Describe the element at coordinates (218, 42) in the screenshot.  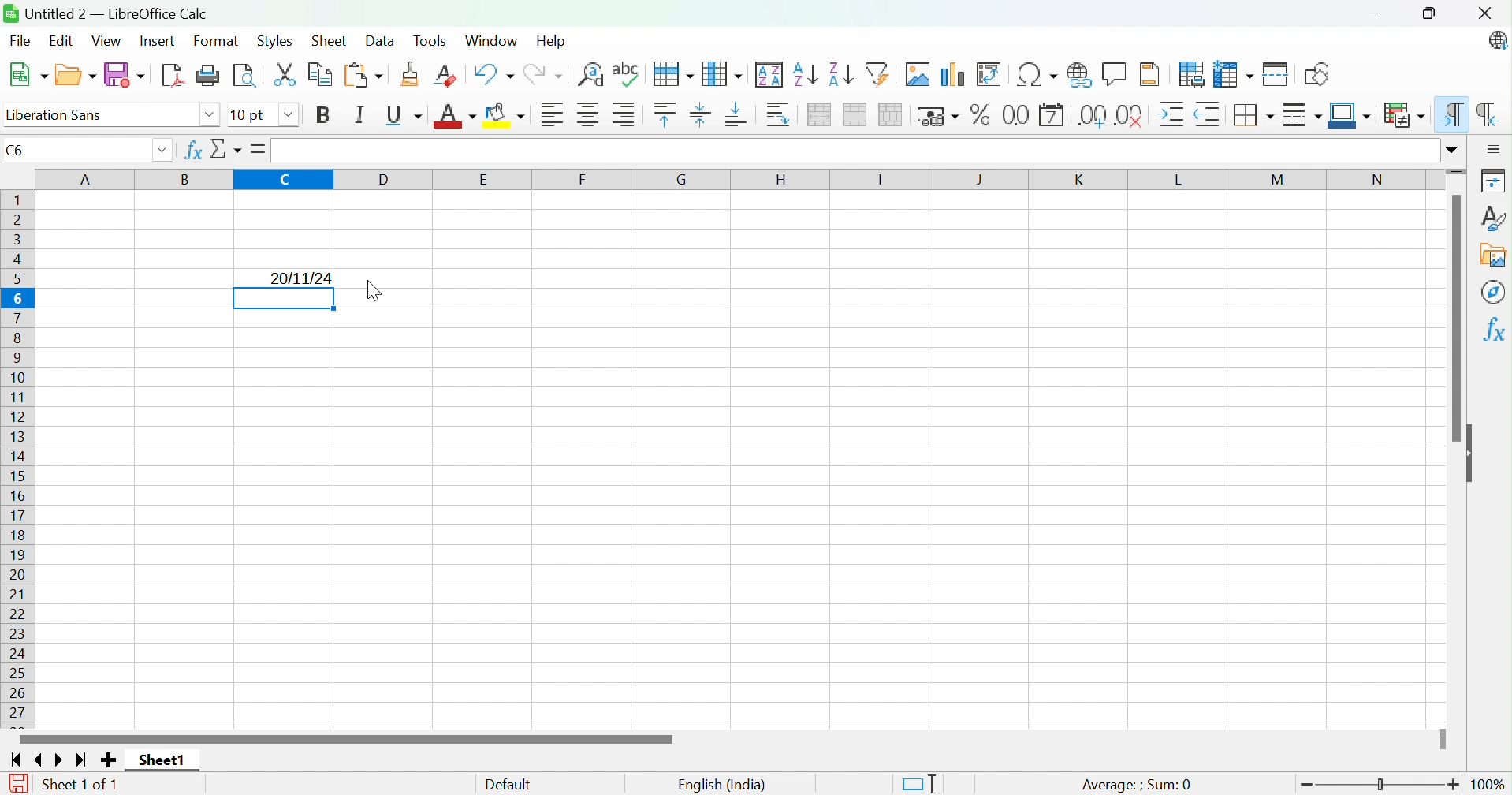
I see `Format` at that location.